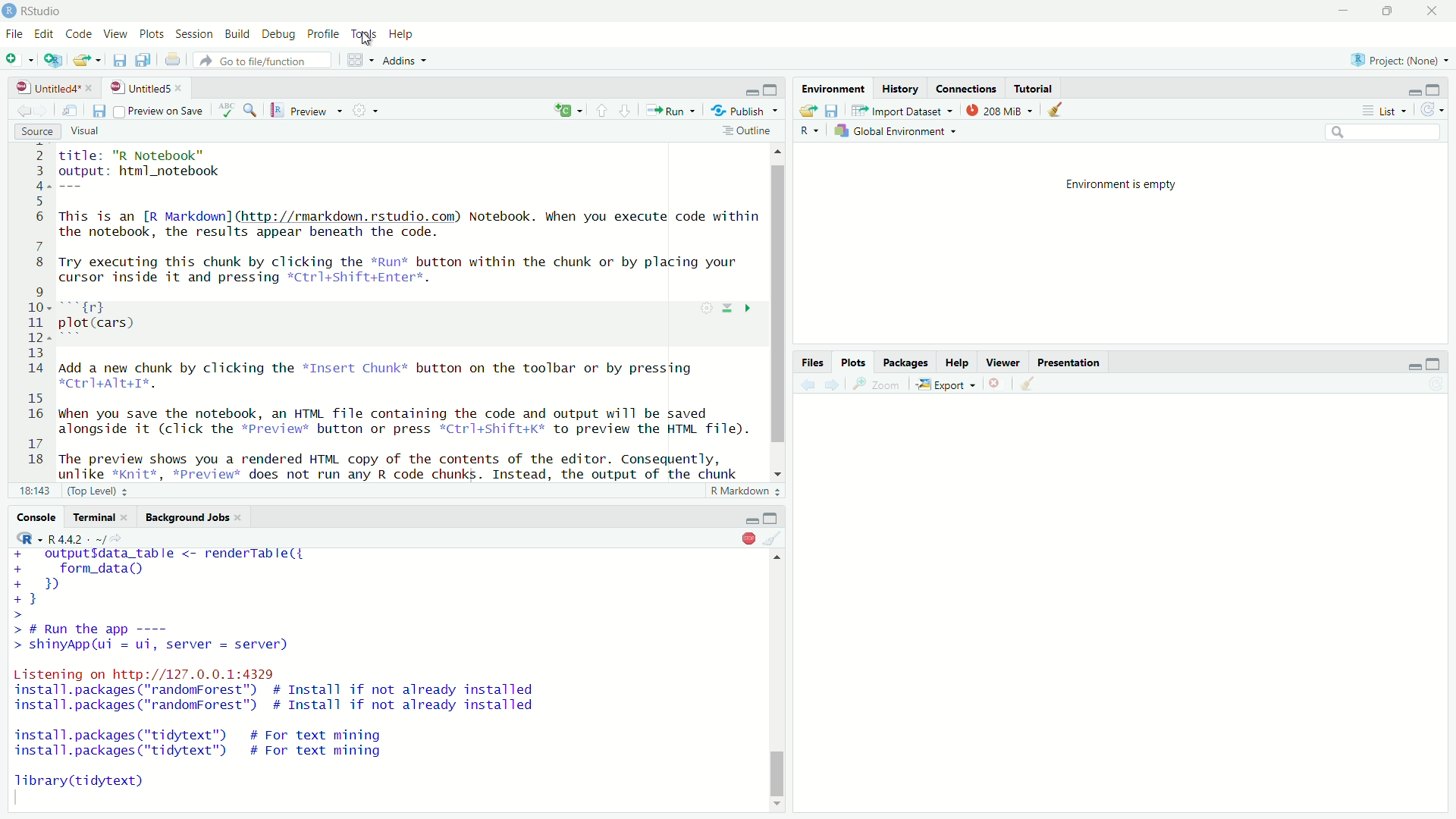  What do you see at coordinates (77, 35) in the screenshot?
I see `Code` at bounding box center [77, 35].